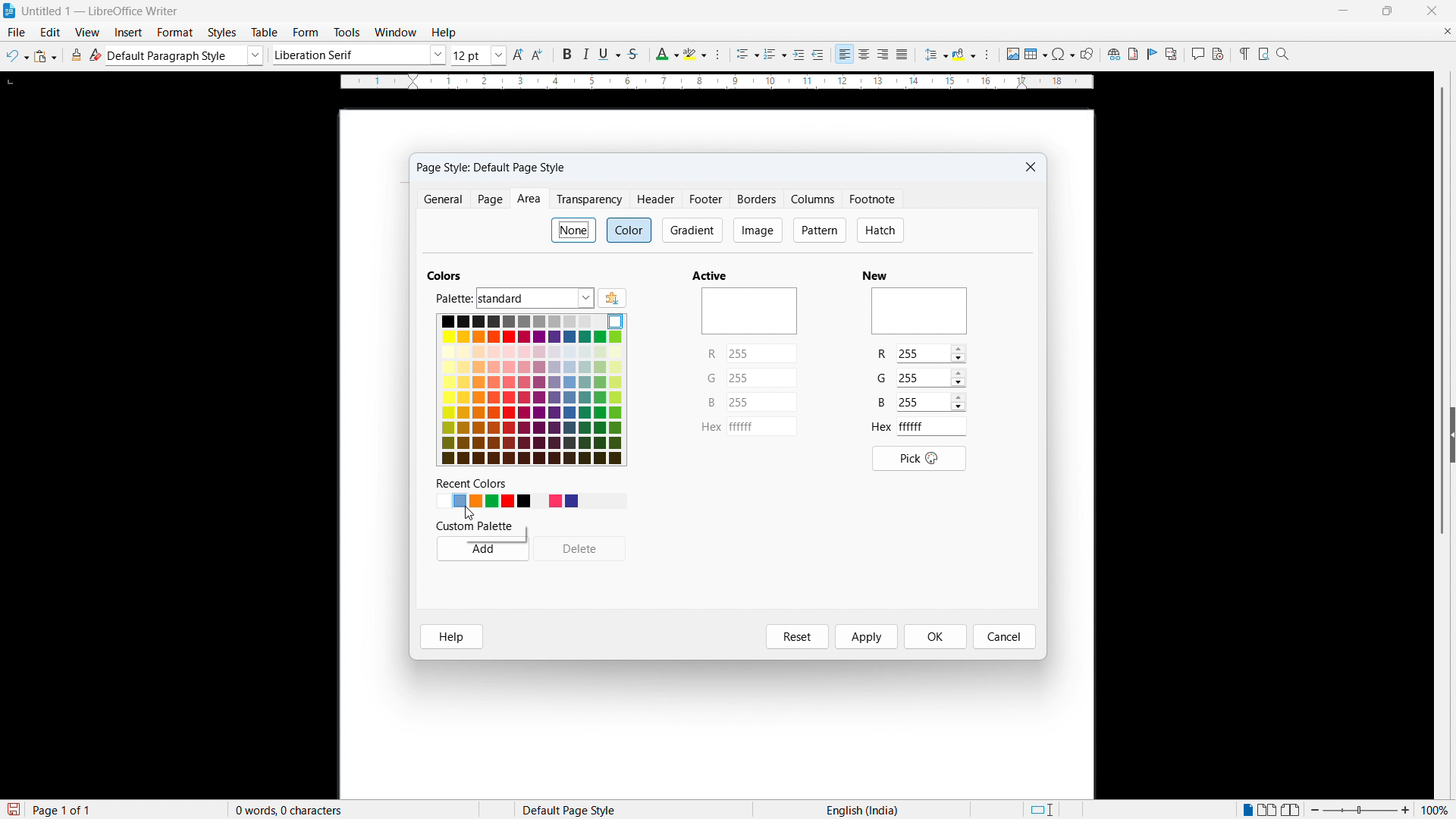  I want to click on hex, so click(881, 426).